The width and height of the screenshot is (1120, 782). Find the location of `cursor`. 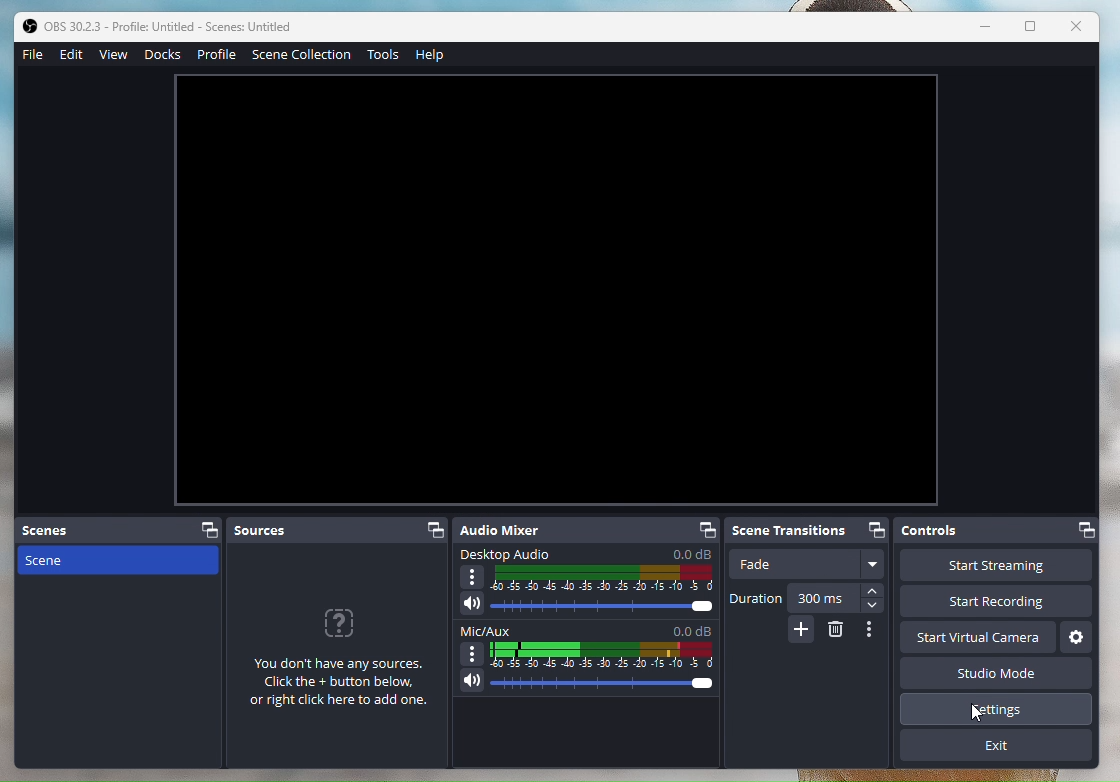

cursor is located at coordinates (967, 714).